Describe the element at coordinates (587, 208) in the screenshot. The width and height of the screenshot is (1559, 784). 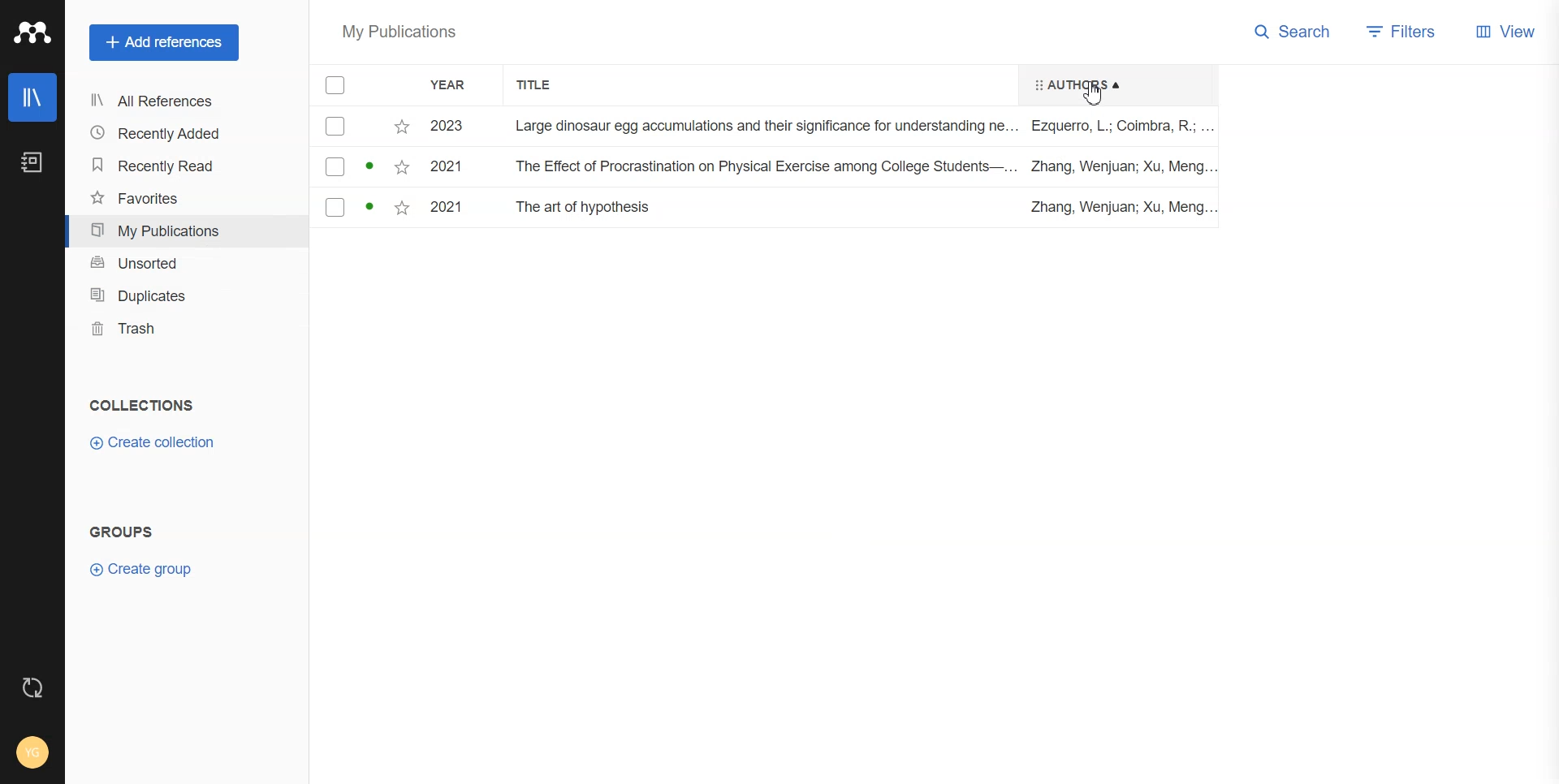
I see `The art of hypothesis` at that location.